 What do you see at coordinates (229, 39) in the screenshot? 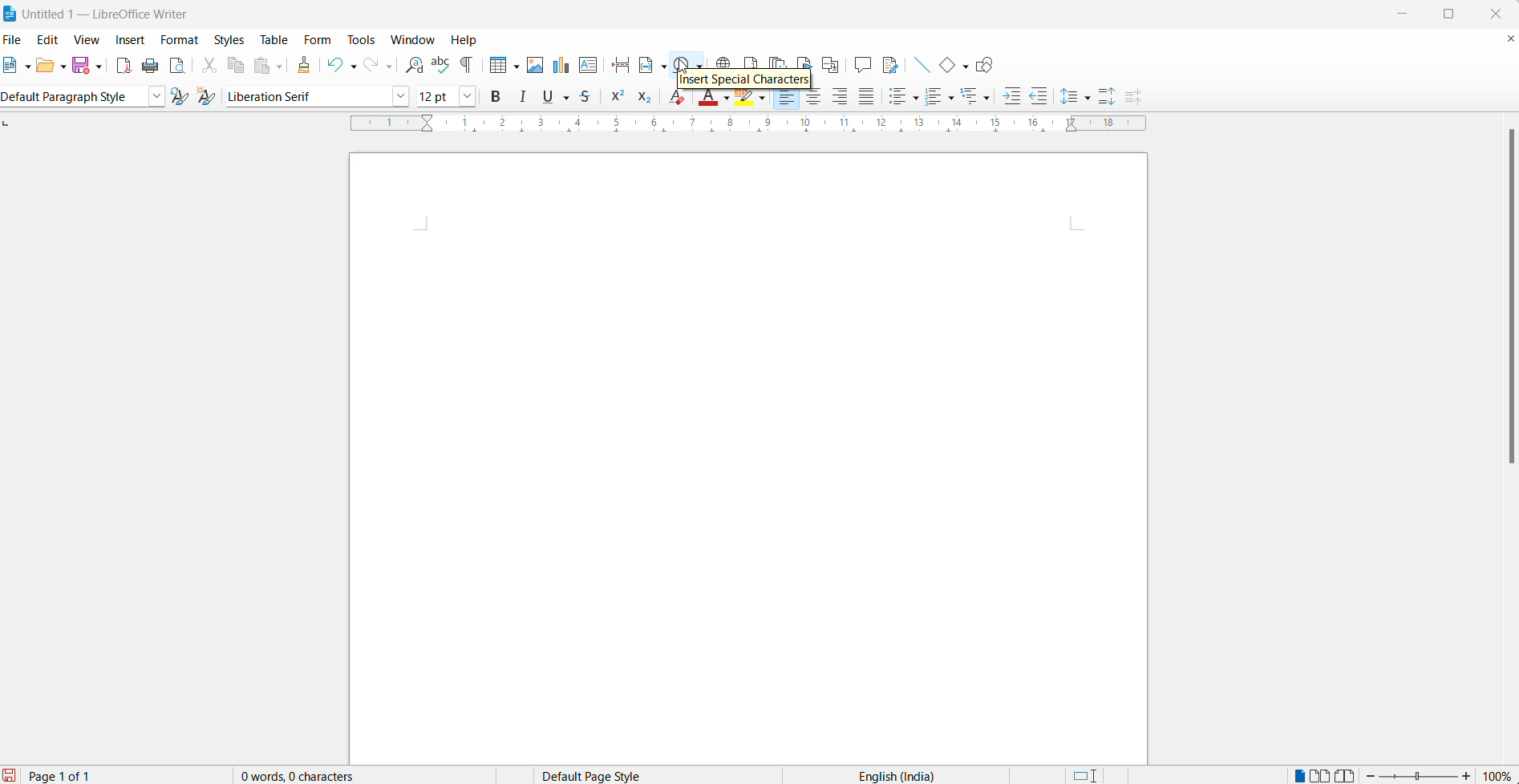
I see `styles` at bounding box center [229, 39].